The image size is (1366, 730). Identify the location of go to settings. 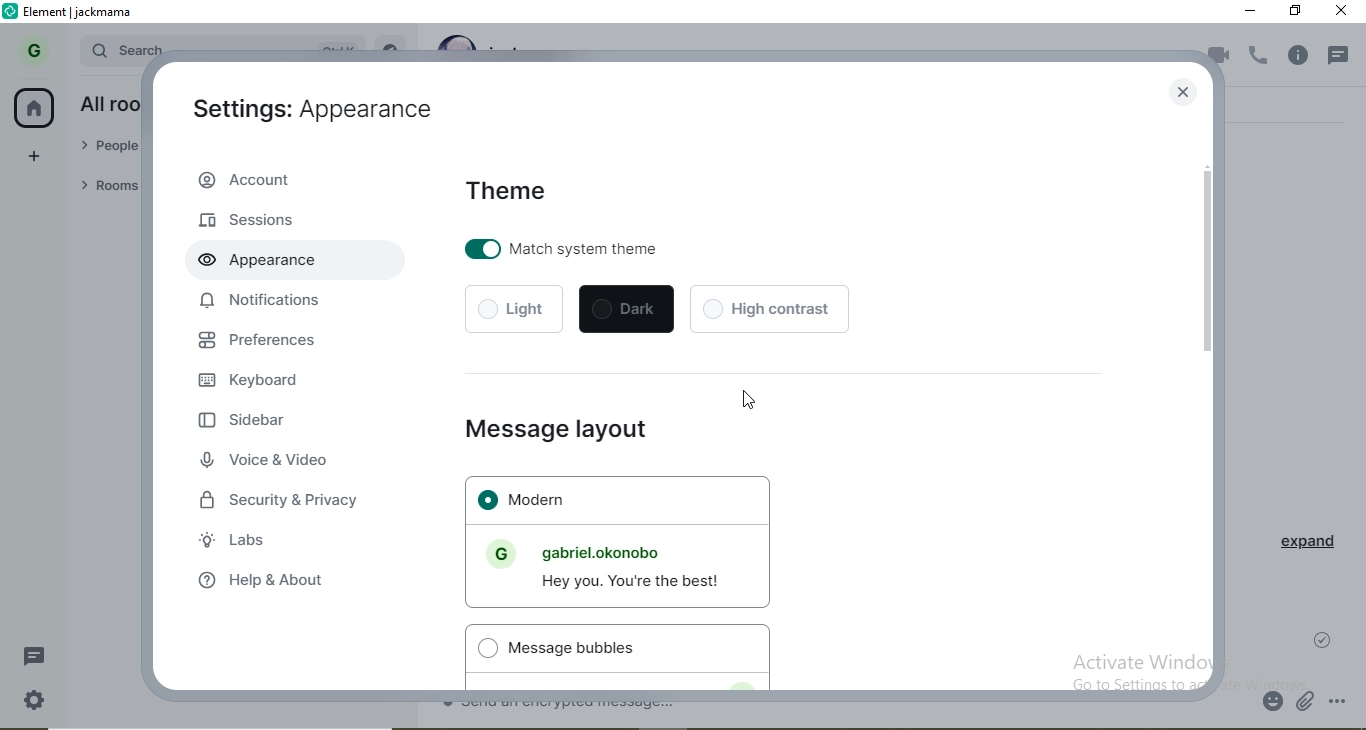
(1124, 684).